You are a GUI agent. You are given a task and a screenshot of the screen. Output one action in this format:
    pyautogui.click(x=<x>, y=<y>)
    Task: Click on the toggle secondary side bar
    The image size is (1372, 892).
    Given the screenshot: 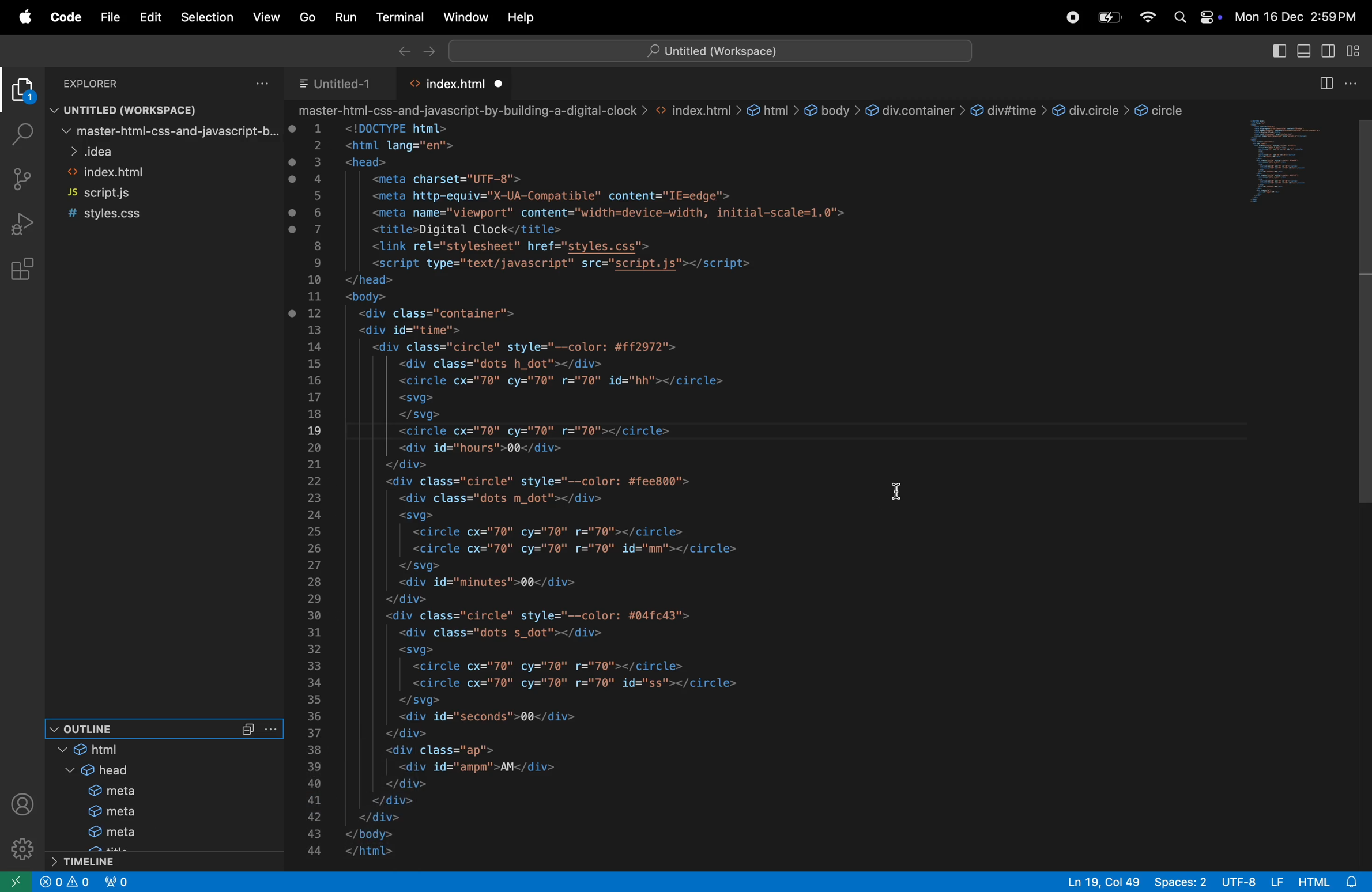 What is the action you would take?
    pyautogui.click(x=1330, y=52)
    